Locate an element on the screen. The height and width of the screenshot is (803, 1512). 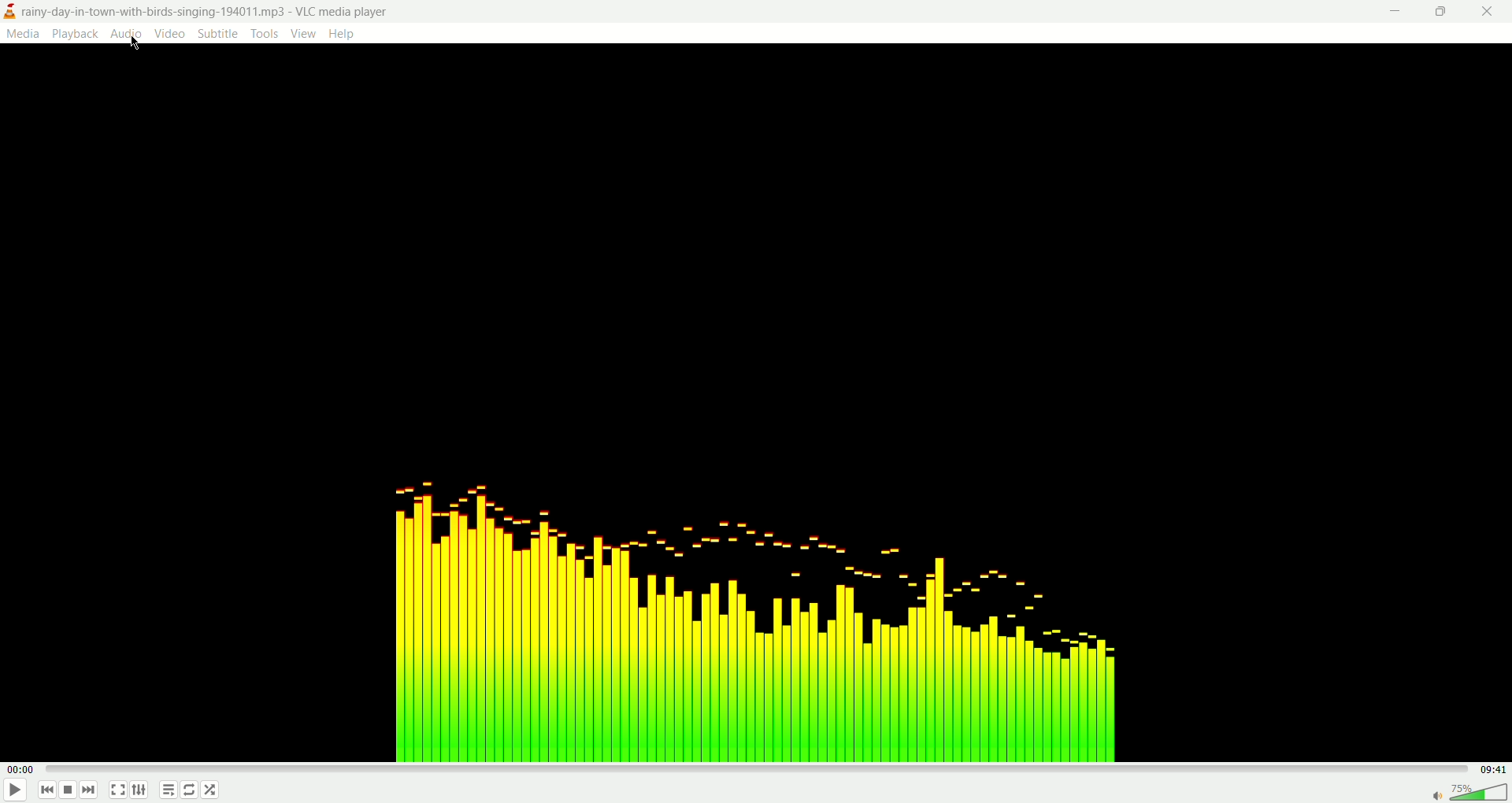
tools is located at coordinates (264, 32).